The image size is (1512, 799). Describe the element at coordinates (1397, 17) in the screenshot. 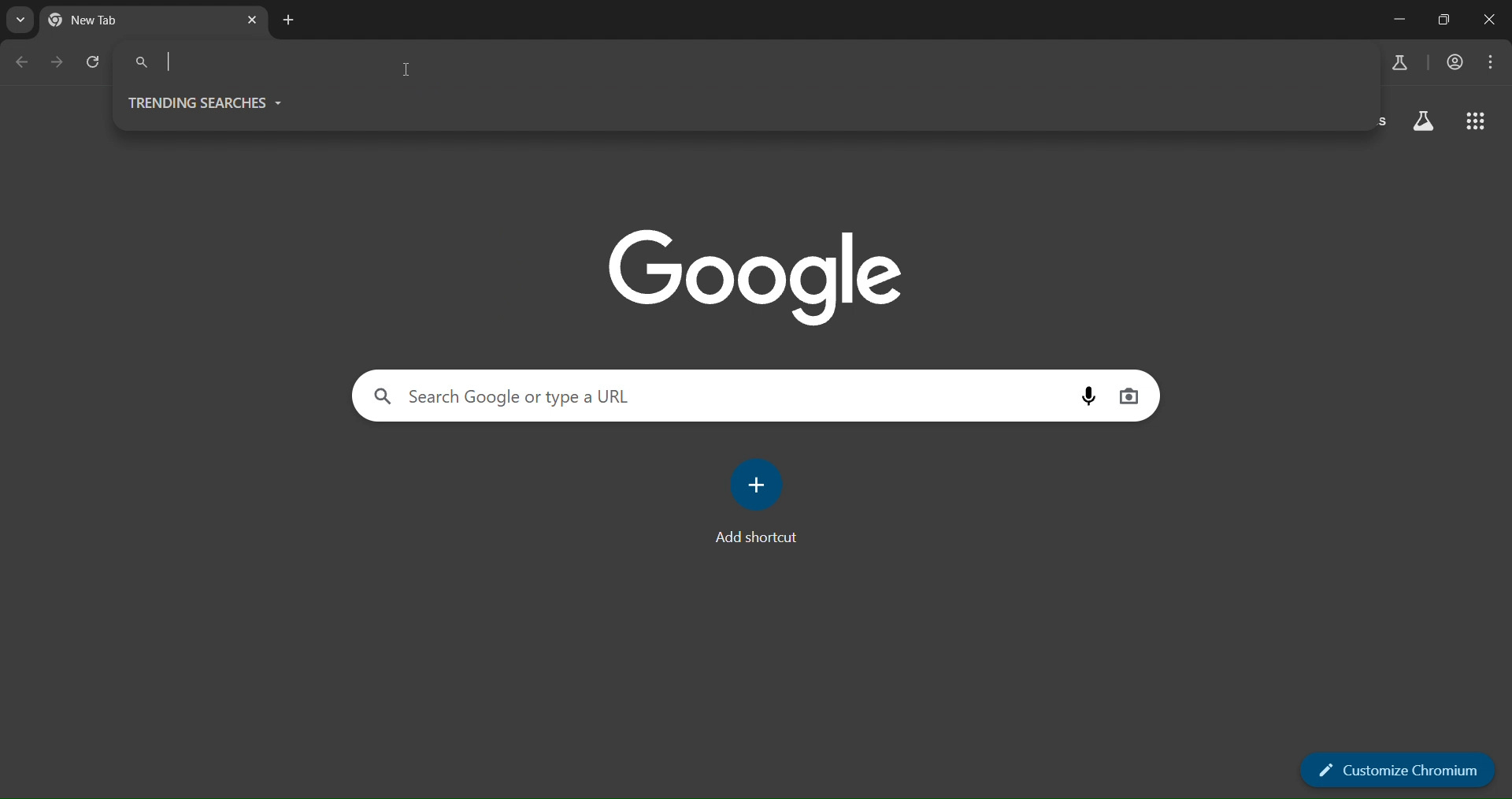

I see `minimize` at that location.